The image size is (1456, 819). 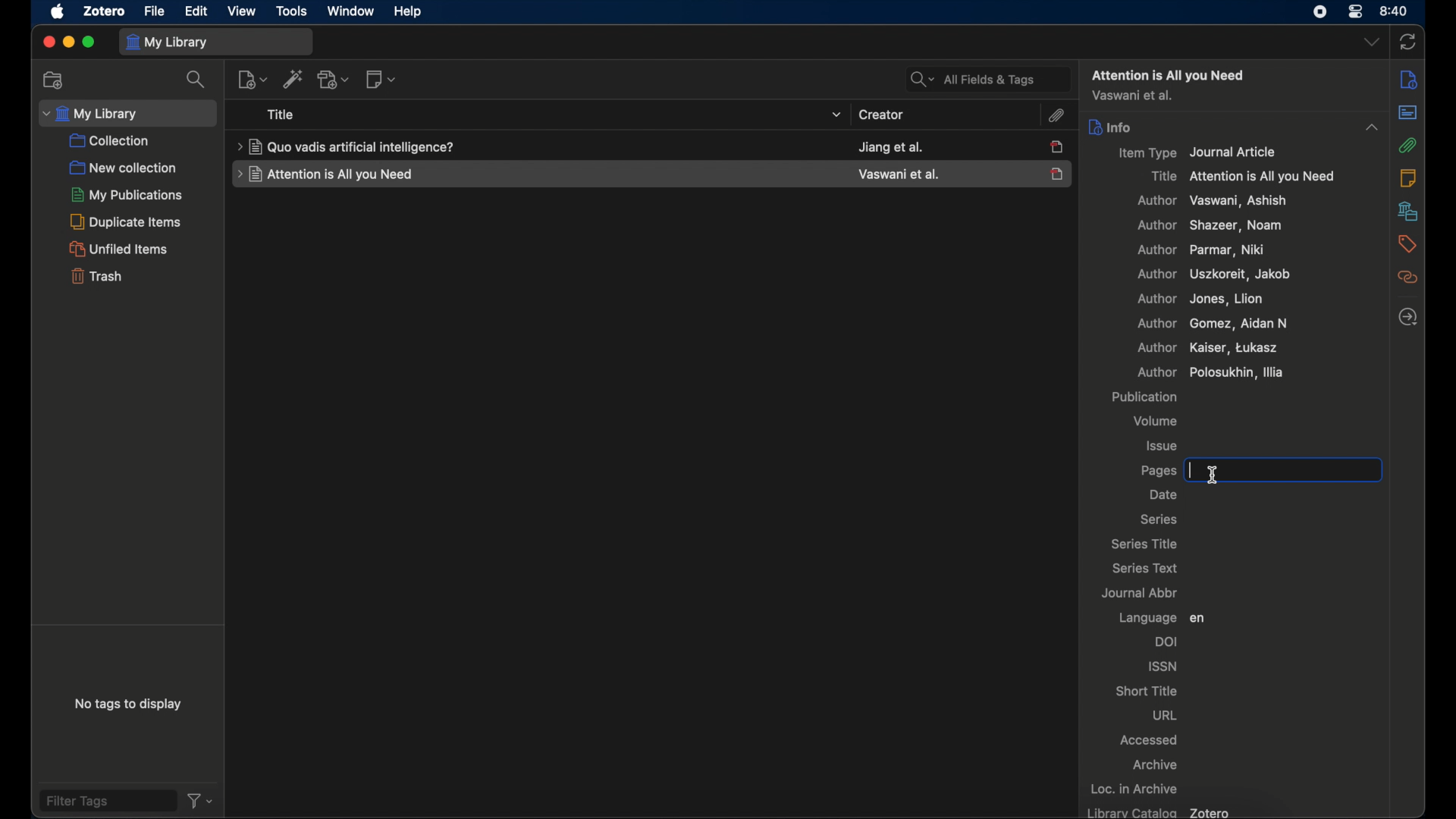 I want to click on item selected, so click(x=1059, y=173).